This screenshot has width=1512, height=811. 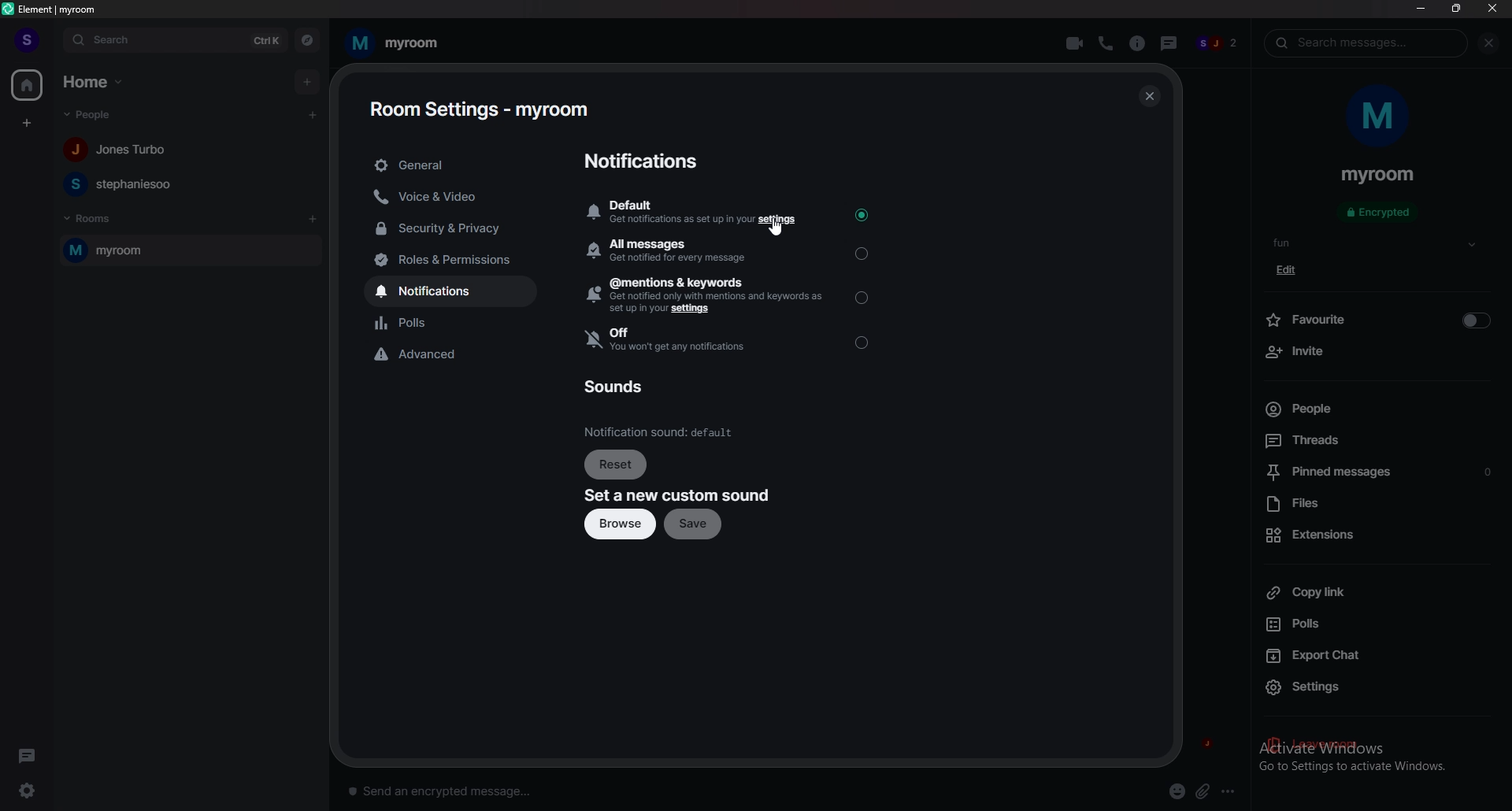 I want to click on video call, so click(x=1076, y=42).